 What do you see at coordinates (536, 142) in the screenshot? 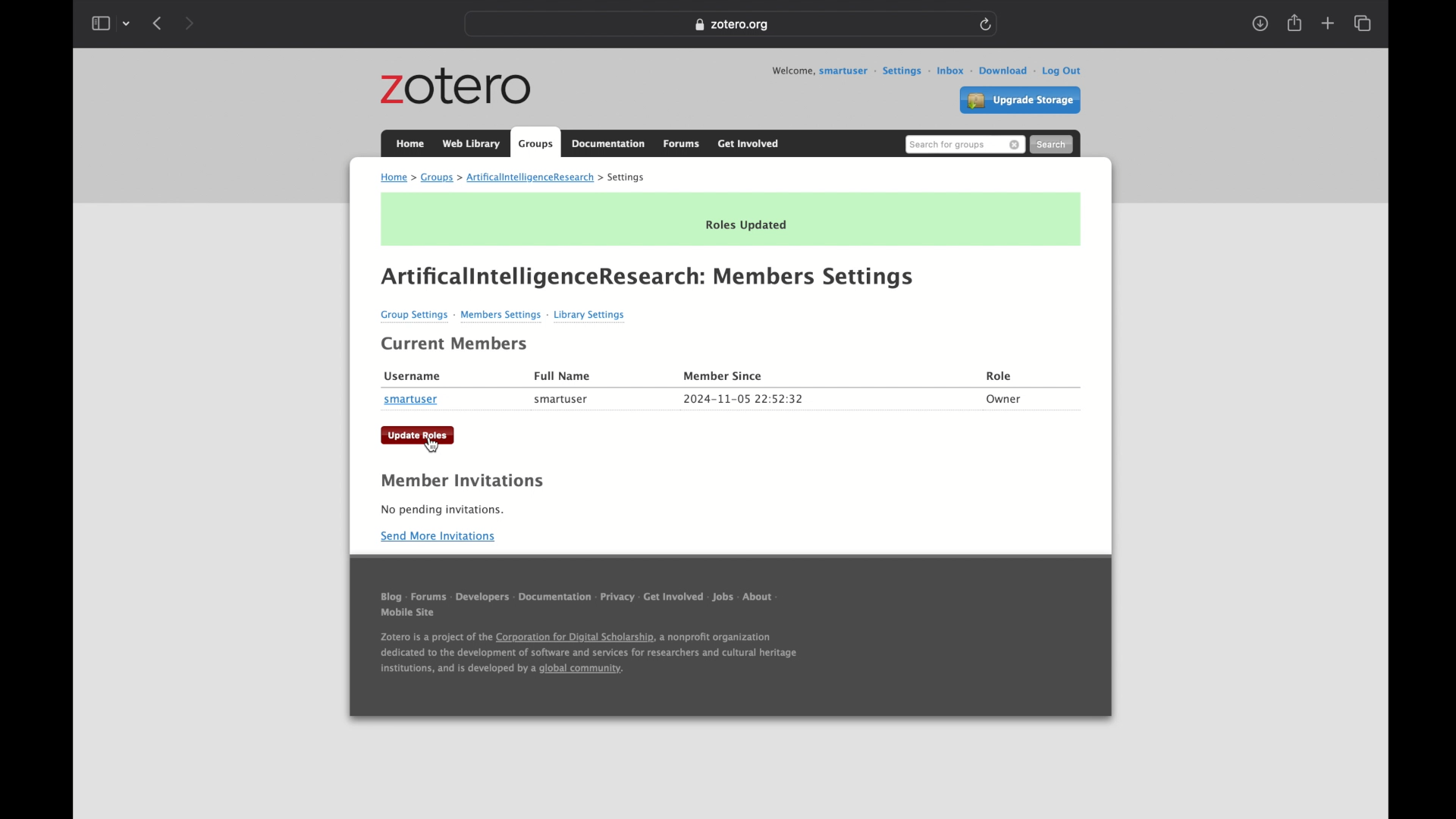
I see `groups` at bounding box center [536, 142].